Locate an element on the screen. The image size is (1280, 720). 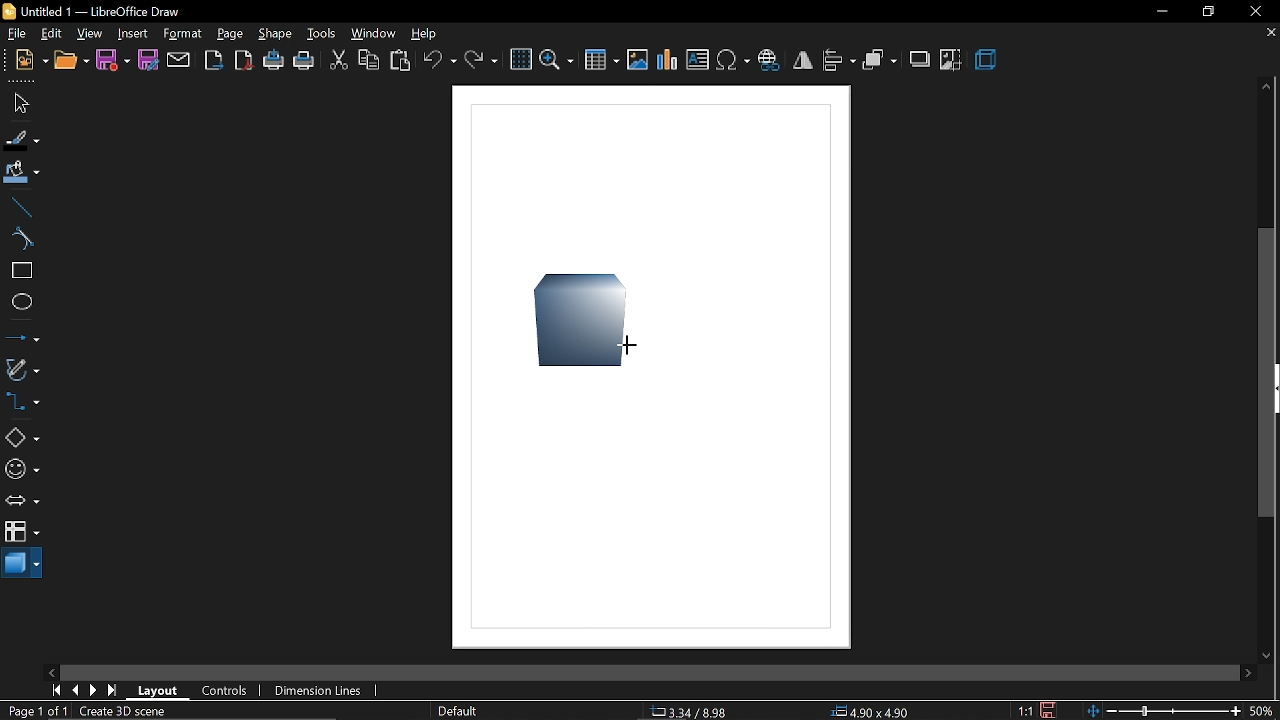
page is located at coordinates (232, 36).